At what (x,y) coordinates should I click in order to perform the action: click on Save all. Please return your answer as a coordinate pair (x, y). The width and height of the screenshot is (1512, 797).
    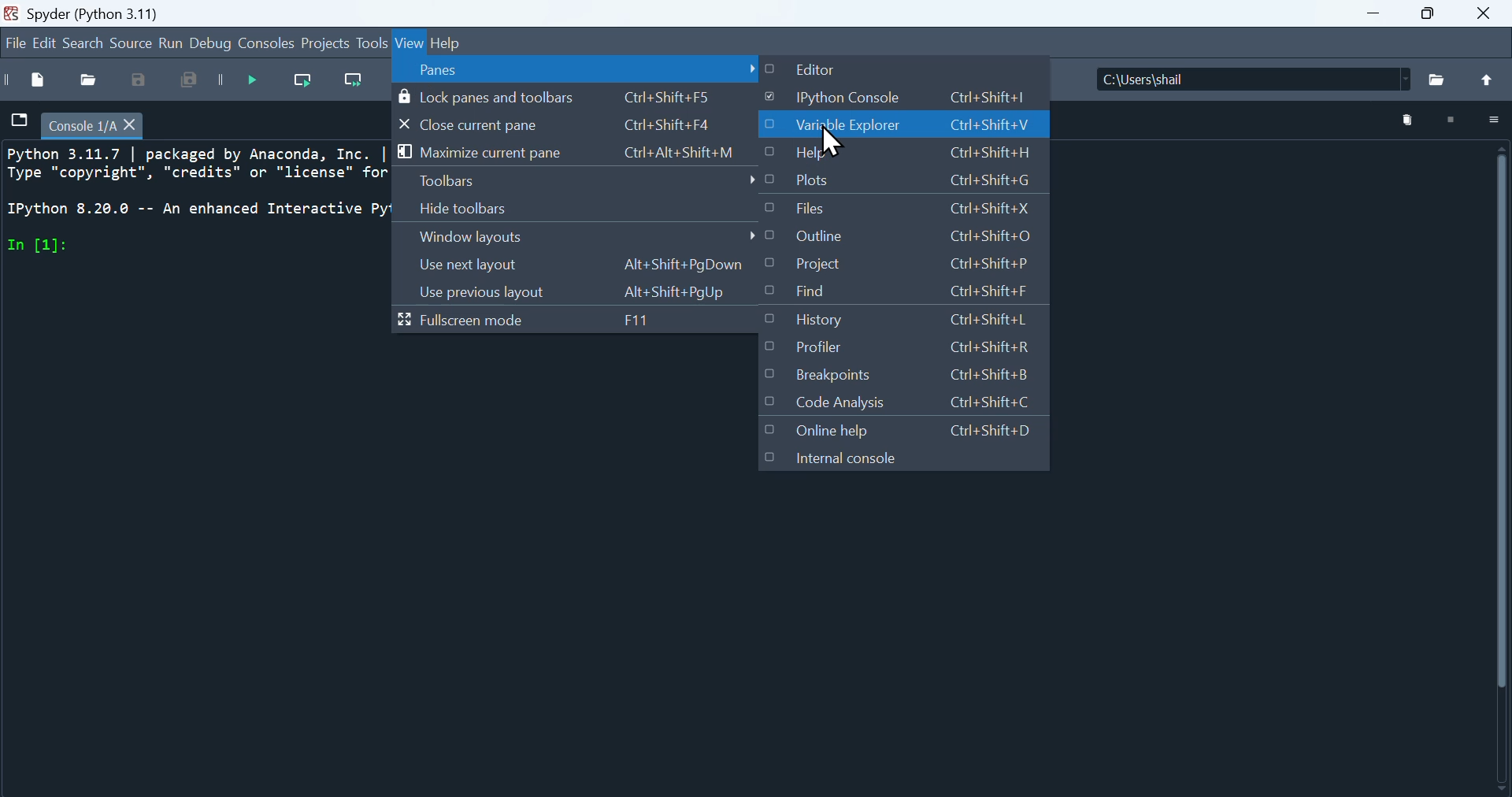
    Looking at the image, I should click on (196, 83).